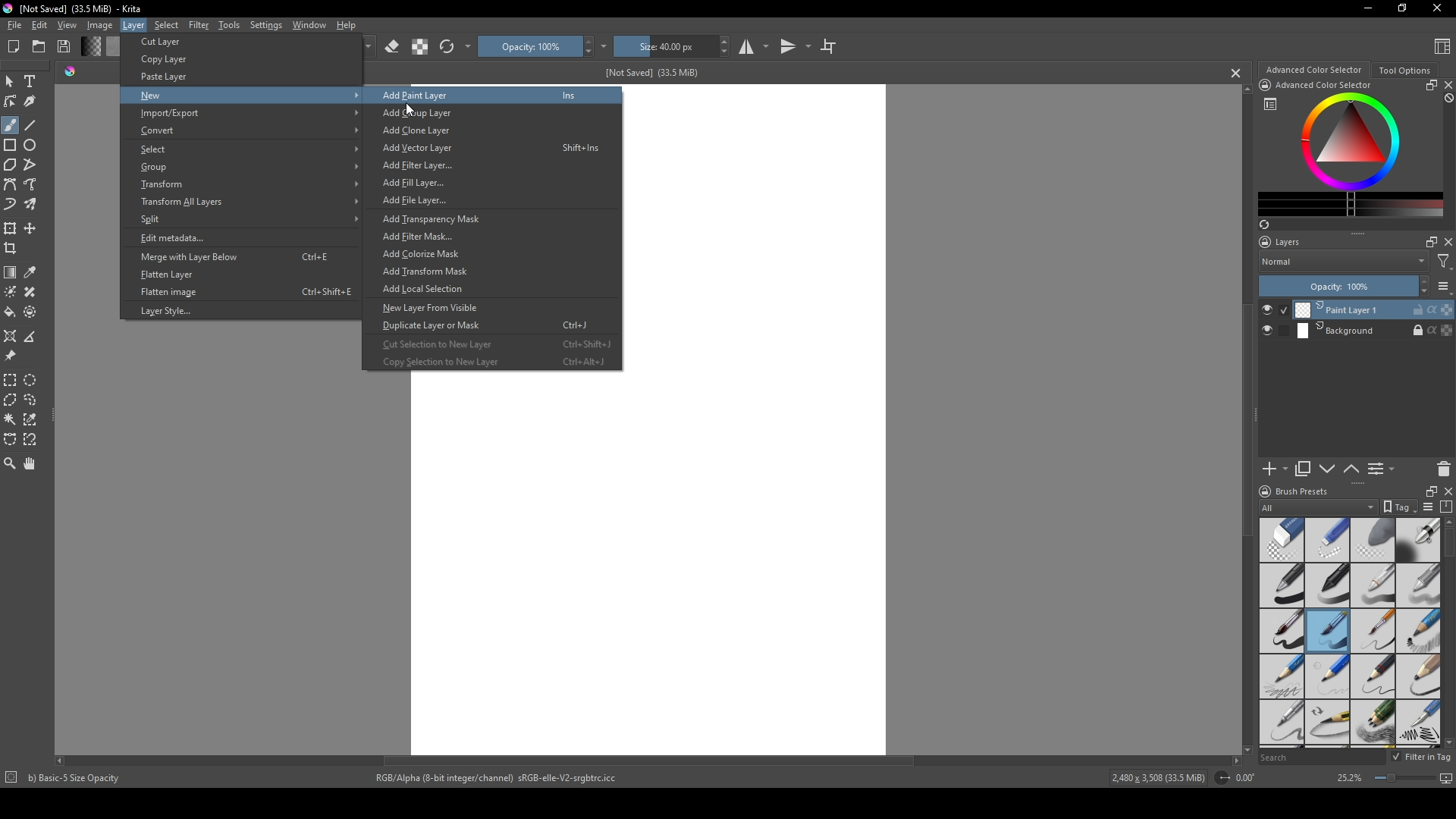 This screenshot has width=1456, height=819. What do you see at coordinates (10, 165) in the screenshot?
I see `polygon` at bounding box center [10, 165].